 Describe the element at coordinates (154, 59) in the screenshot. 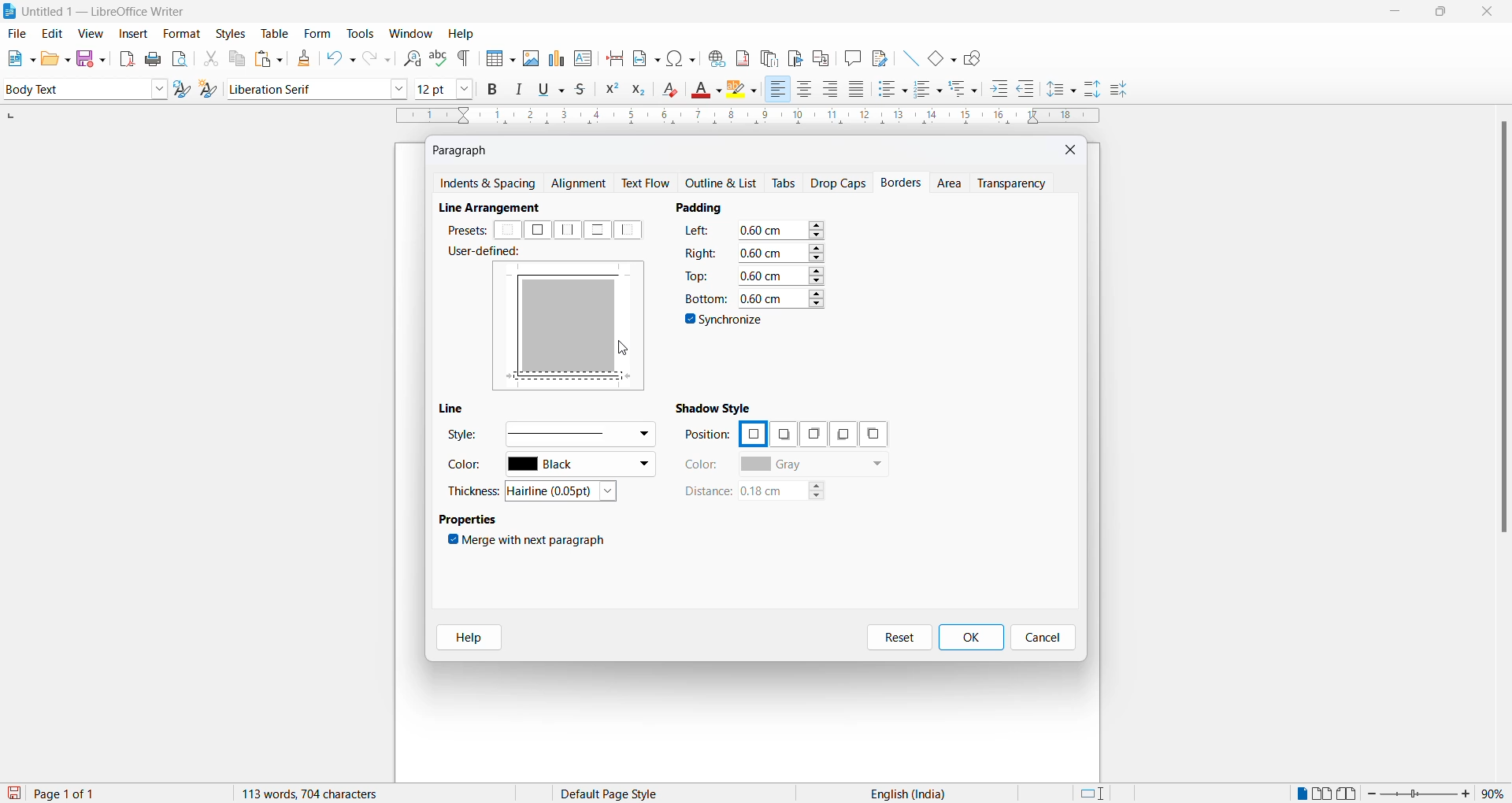

I see `print` at that location.